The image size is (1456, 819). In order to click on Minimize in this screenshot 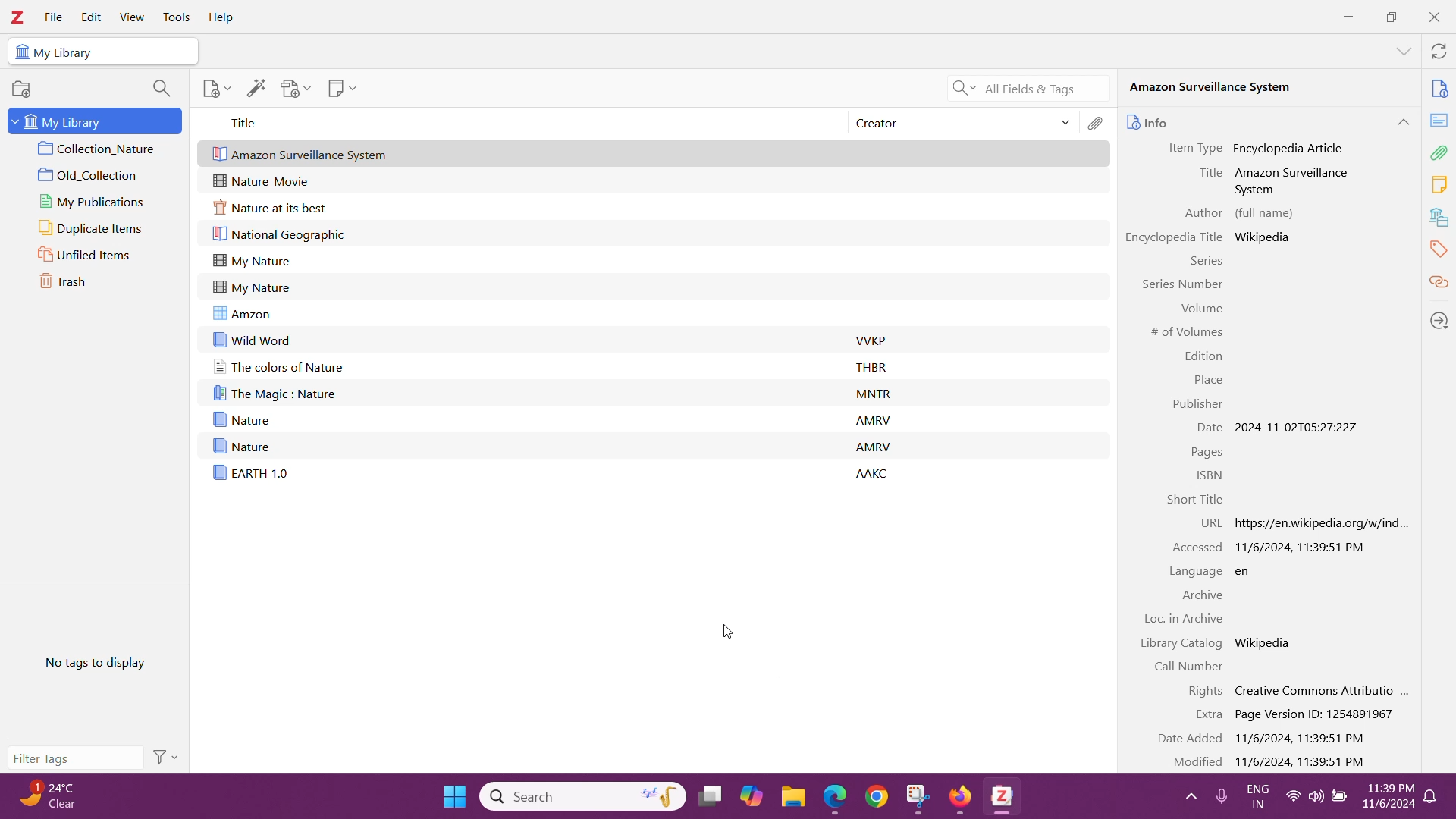, I will do `click(1348, 14)`.